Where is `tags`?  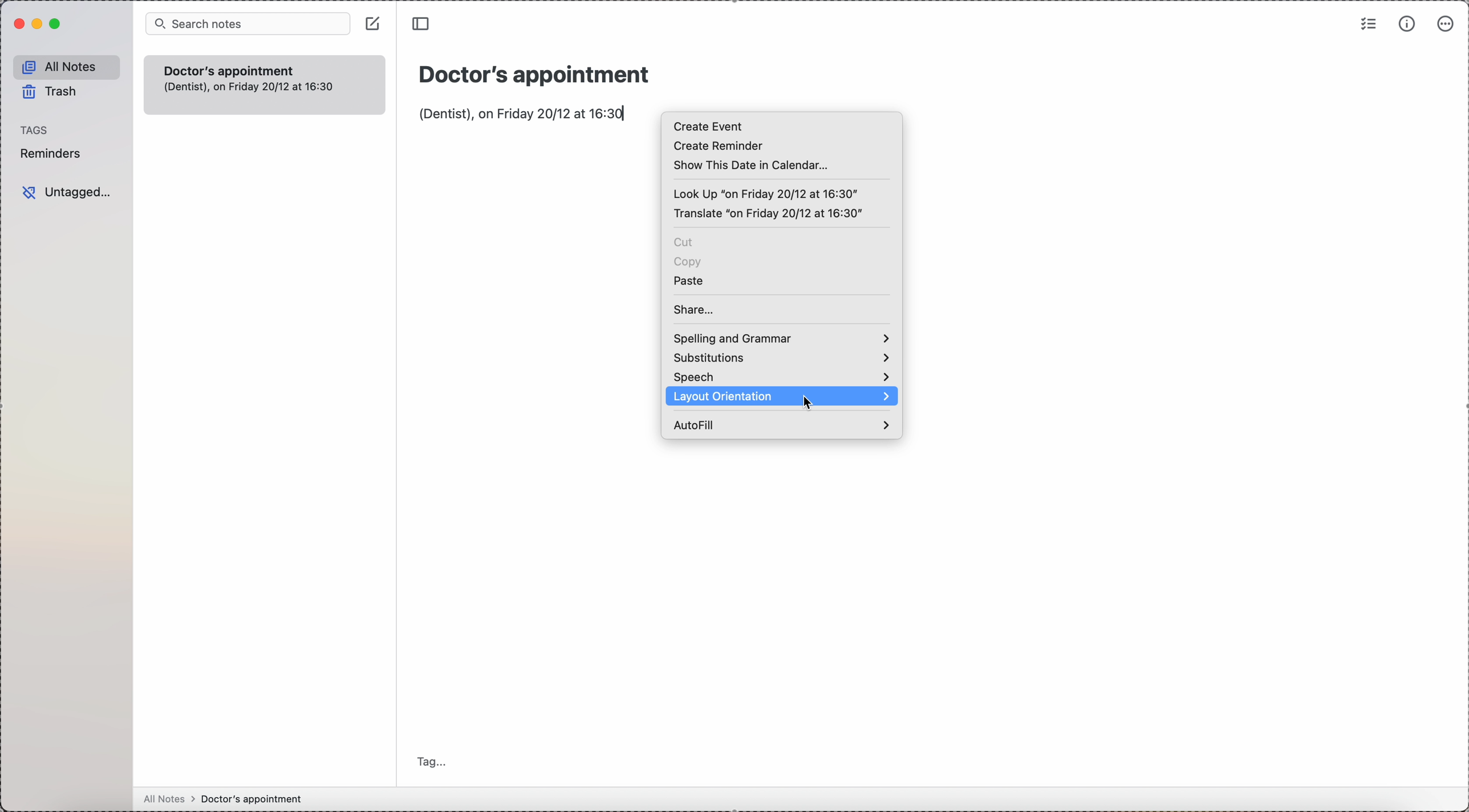 tags is located at coordinates (33, 130).